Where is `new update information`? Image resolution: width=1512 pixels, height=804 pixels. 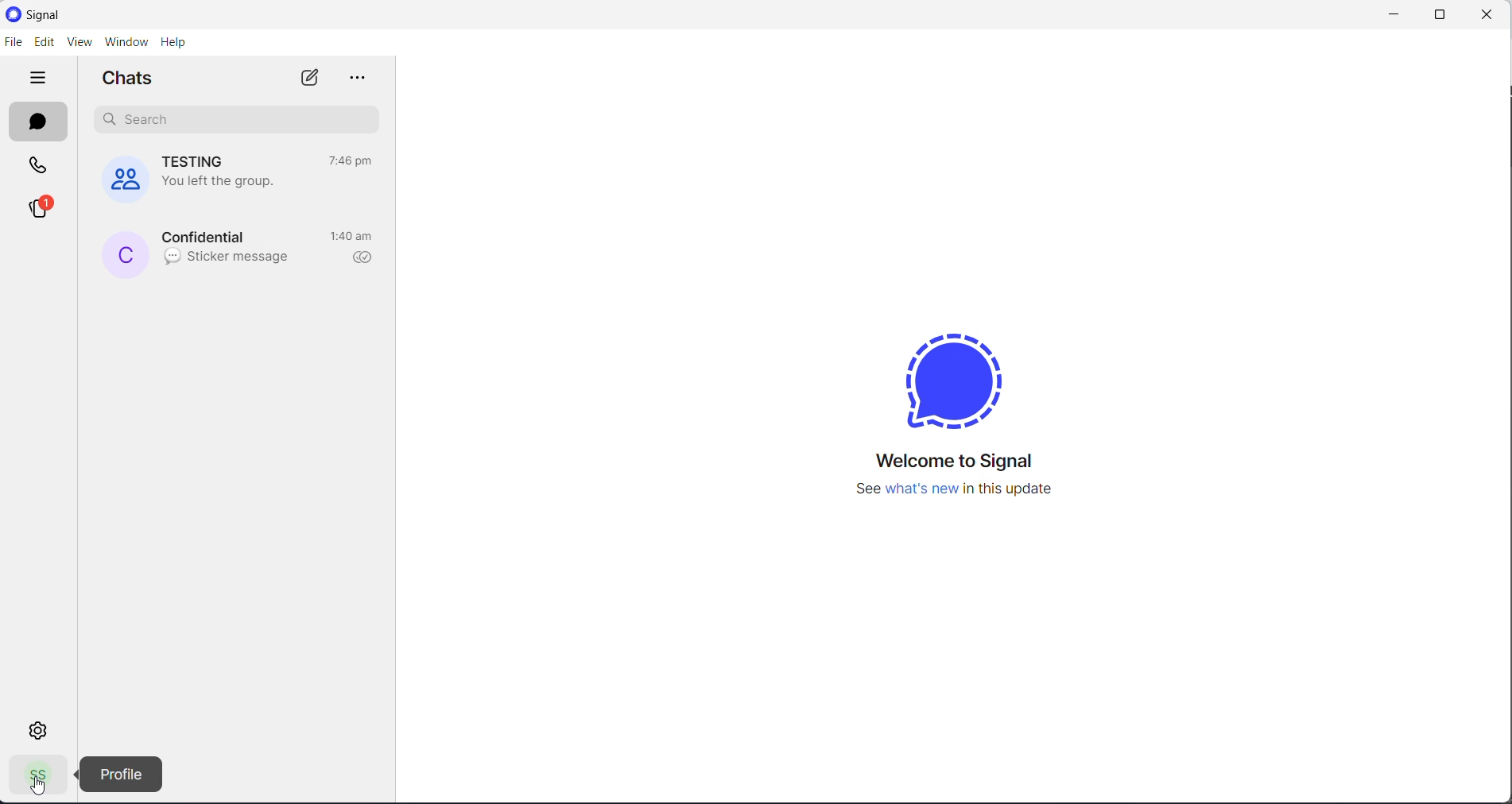
new update information is located at coordinates (960, 489).